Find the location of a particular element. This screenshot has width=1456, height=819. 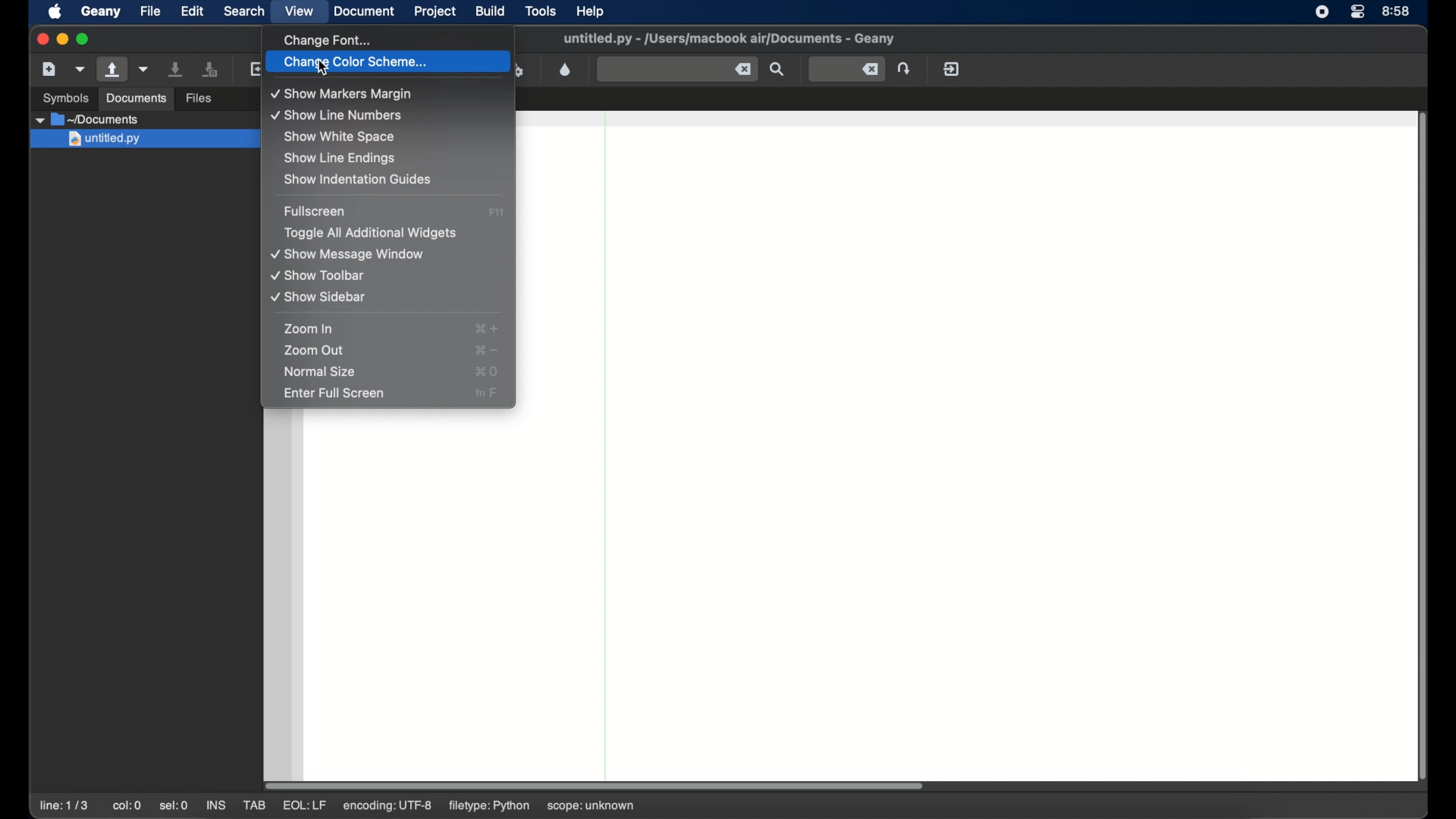

show sidebar is located at coordinates (319, 297).